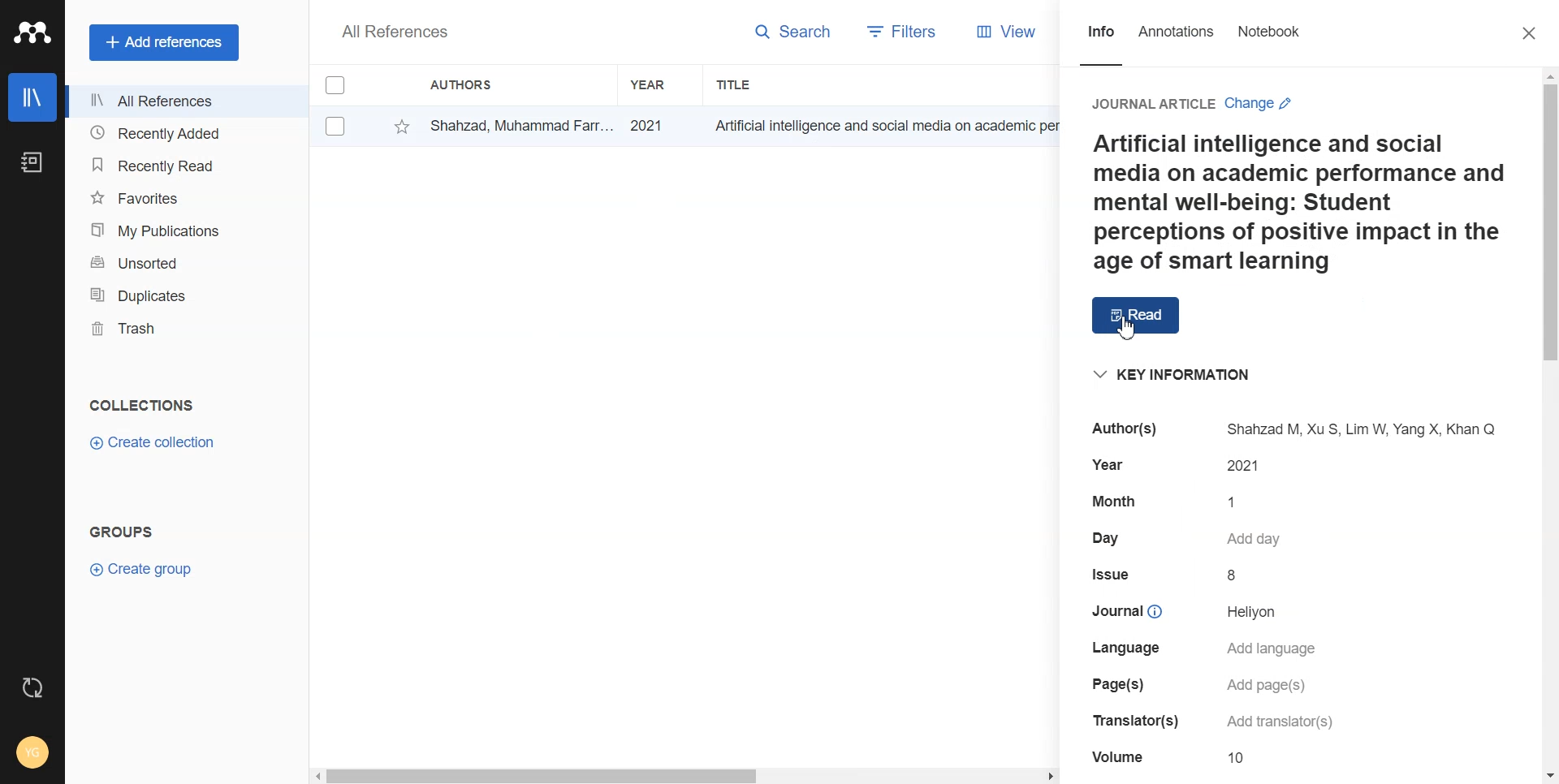 The height and width of the screenshot is (784, 1559). Describe the element at coordinates (1177, 32) in the screenshot. I see `Annotations` at that location.